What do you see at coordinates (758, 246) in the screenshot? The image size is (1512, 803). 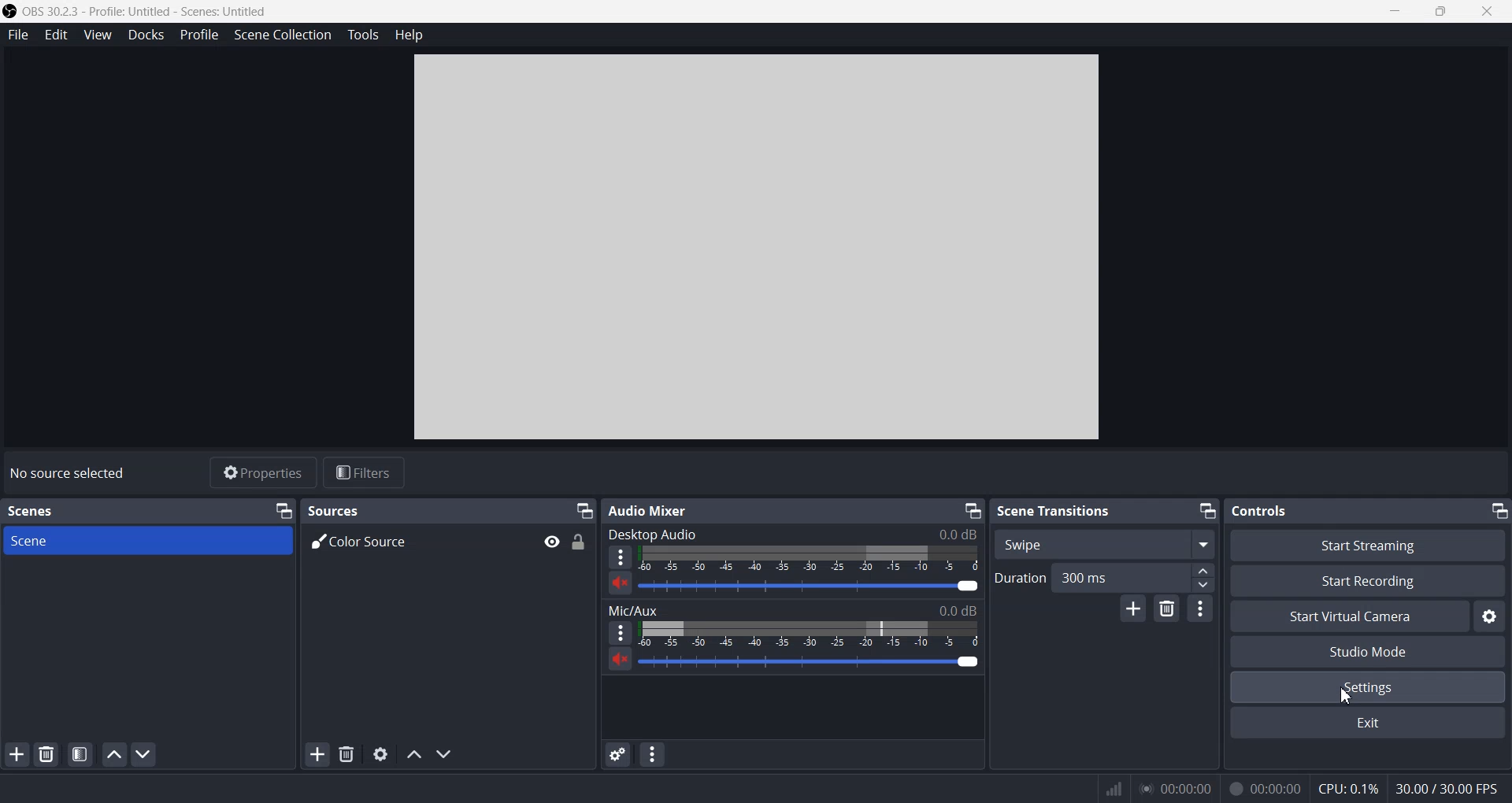 I see `Preview` at bounding box center [758, 246].